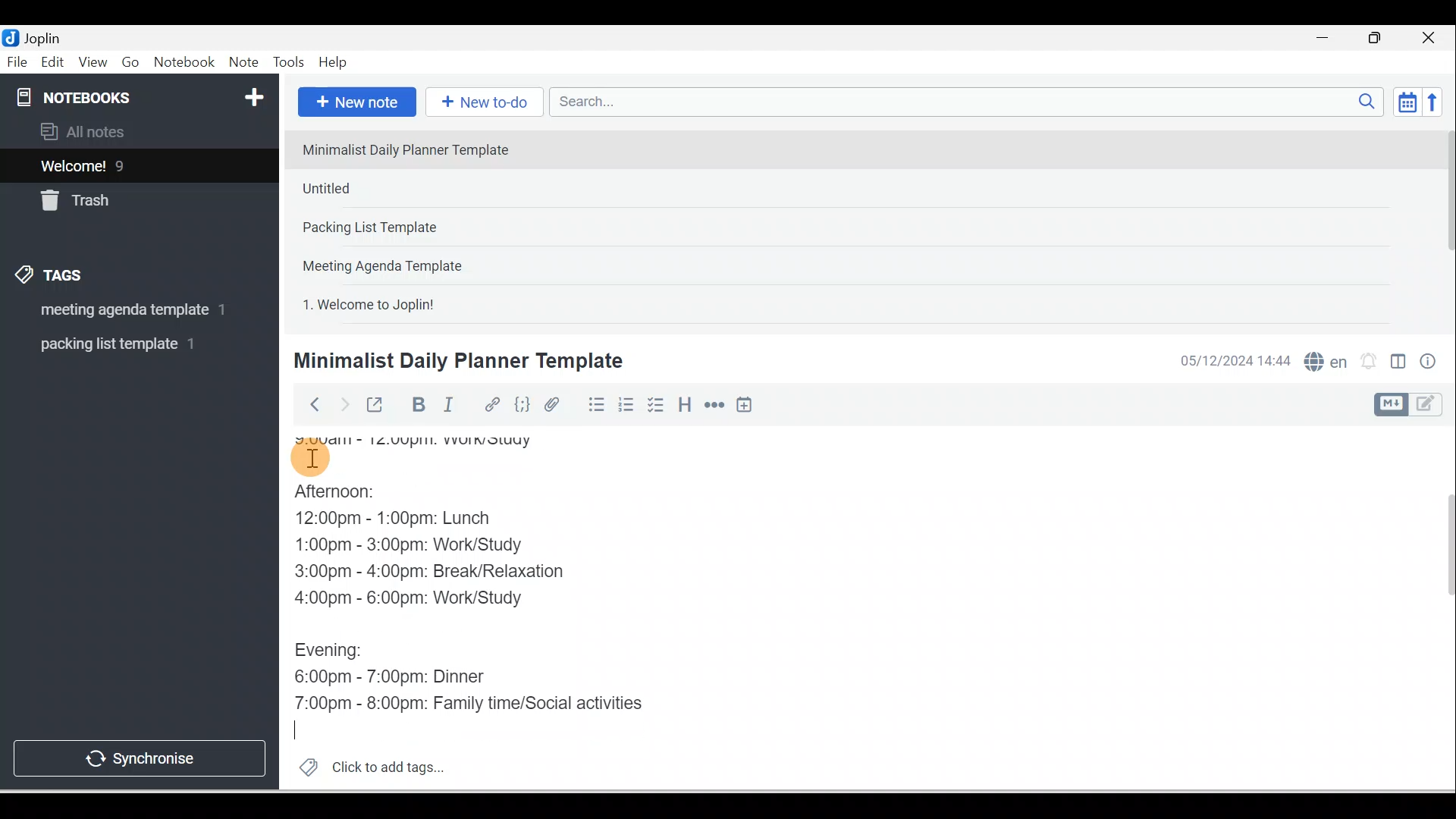  I want to click on Attach file, so click(556, 404).